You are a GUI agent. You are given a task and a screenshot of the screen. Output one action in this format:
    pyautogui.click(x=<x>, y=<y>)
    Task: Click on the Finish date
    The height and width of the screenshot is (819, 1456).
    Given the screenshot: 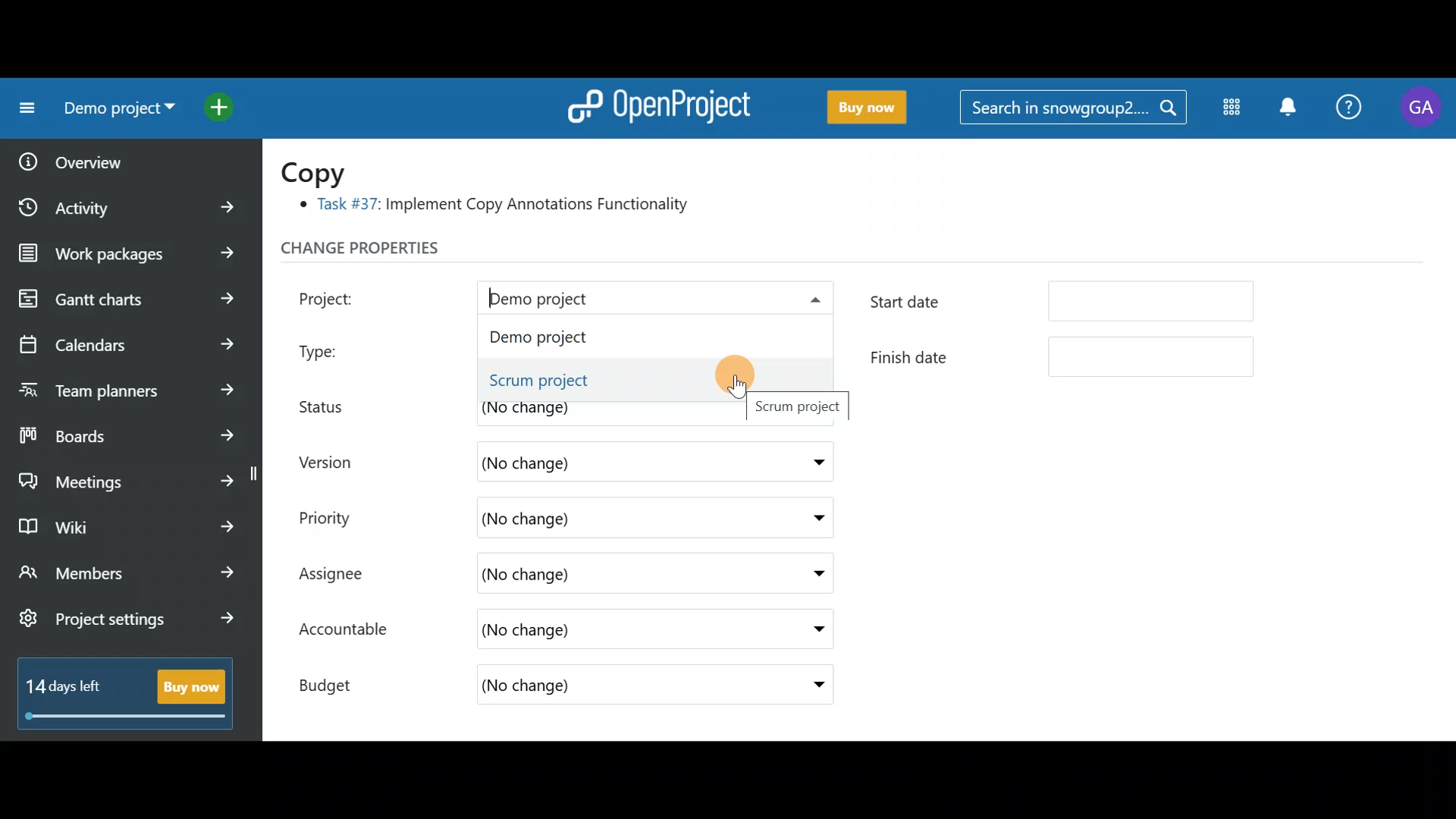 What is the action you would take?
    pyautogui.click(x=1063, y=356)
    